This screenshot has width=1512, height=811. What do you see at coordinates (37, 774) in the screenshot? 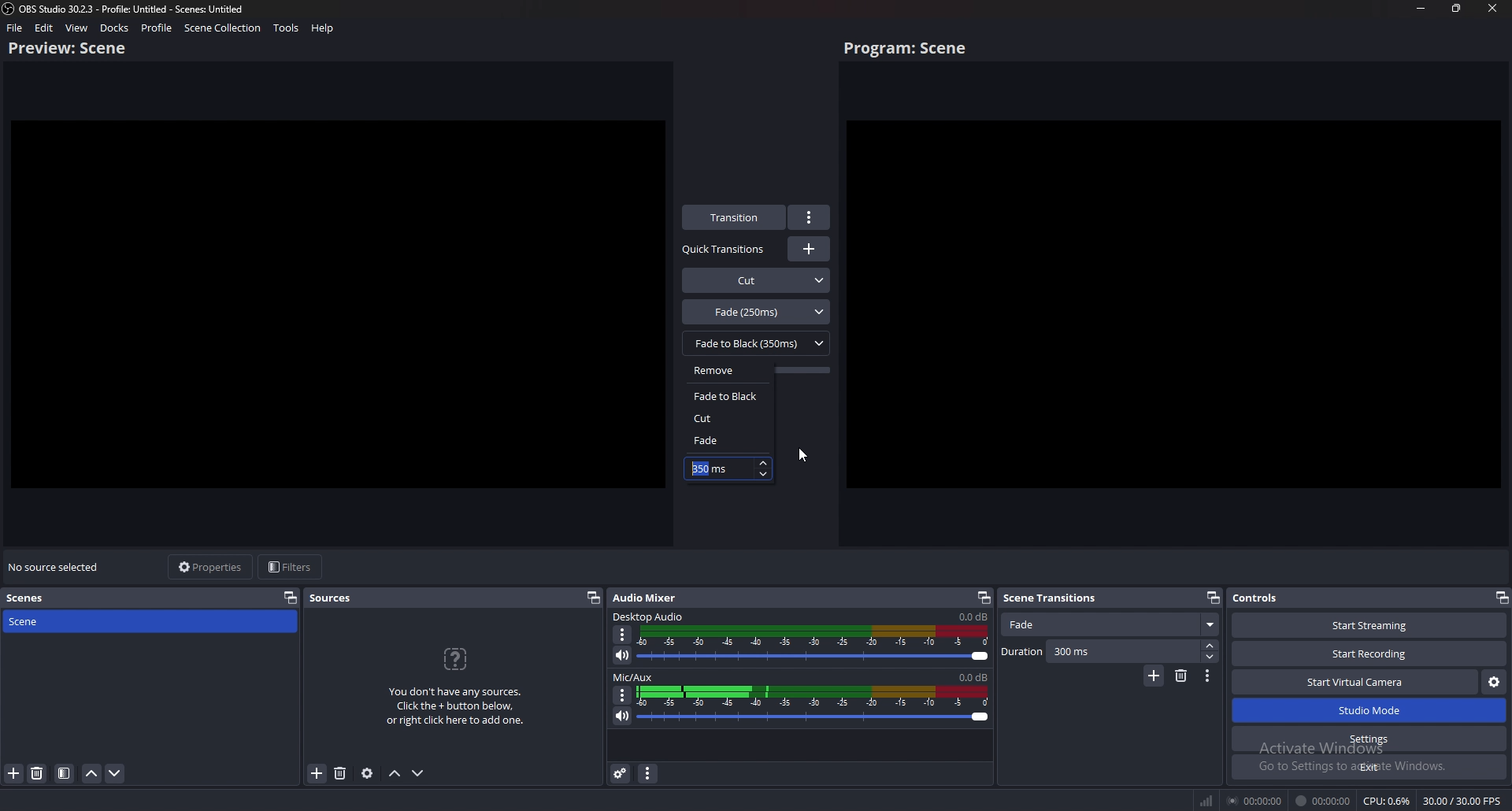
I see `delete source` at bounding box center [37, 774].